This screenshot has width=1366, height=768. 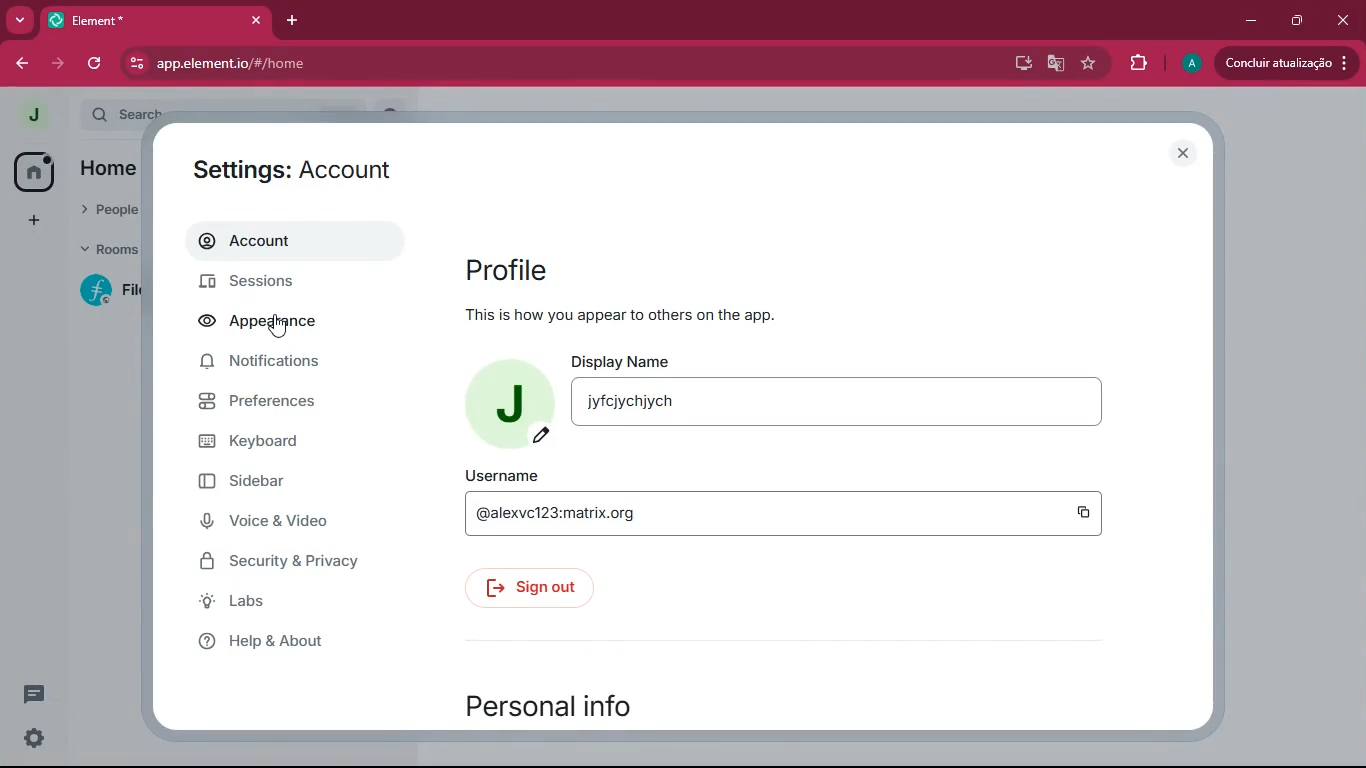 What do you see at coordinates (31, 221) in the screenshot?
I see `more` at bounding box center [31, 221].